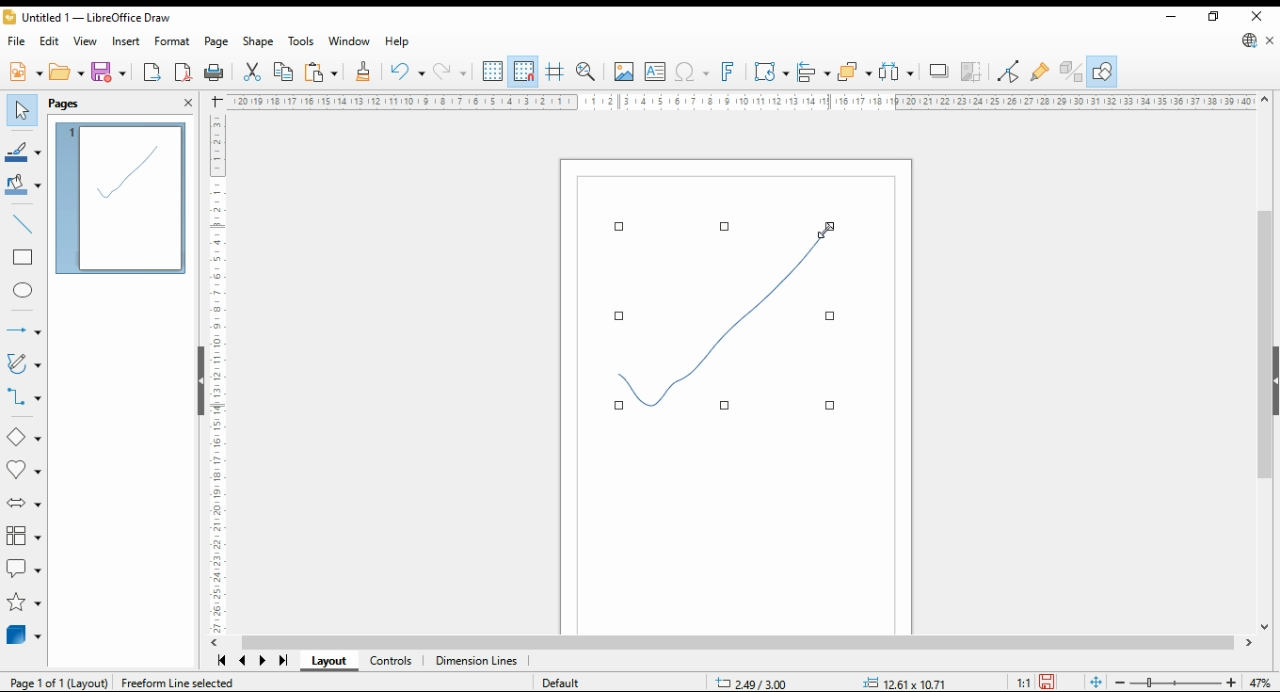 The width and height of the screenshot is (1280, 692). Describe the element at coordinates (302, 42) in the screenshot. I see `tools` at that location.